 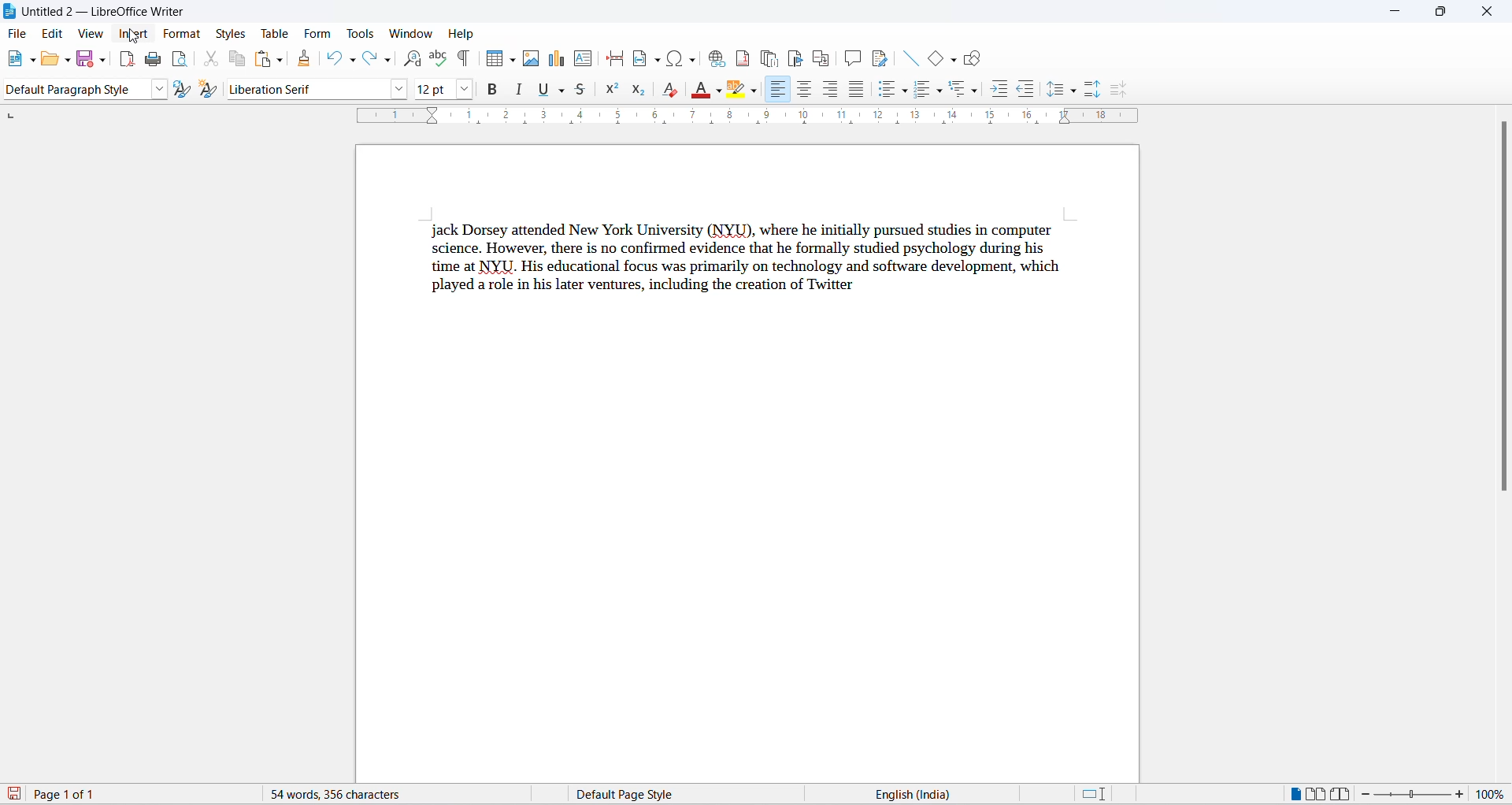 What do you see at coordinates (828, 91) in the screenshot?
I see `text align right` at bounding box center [828, 91].